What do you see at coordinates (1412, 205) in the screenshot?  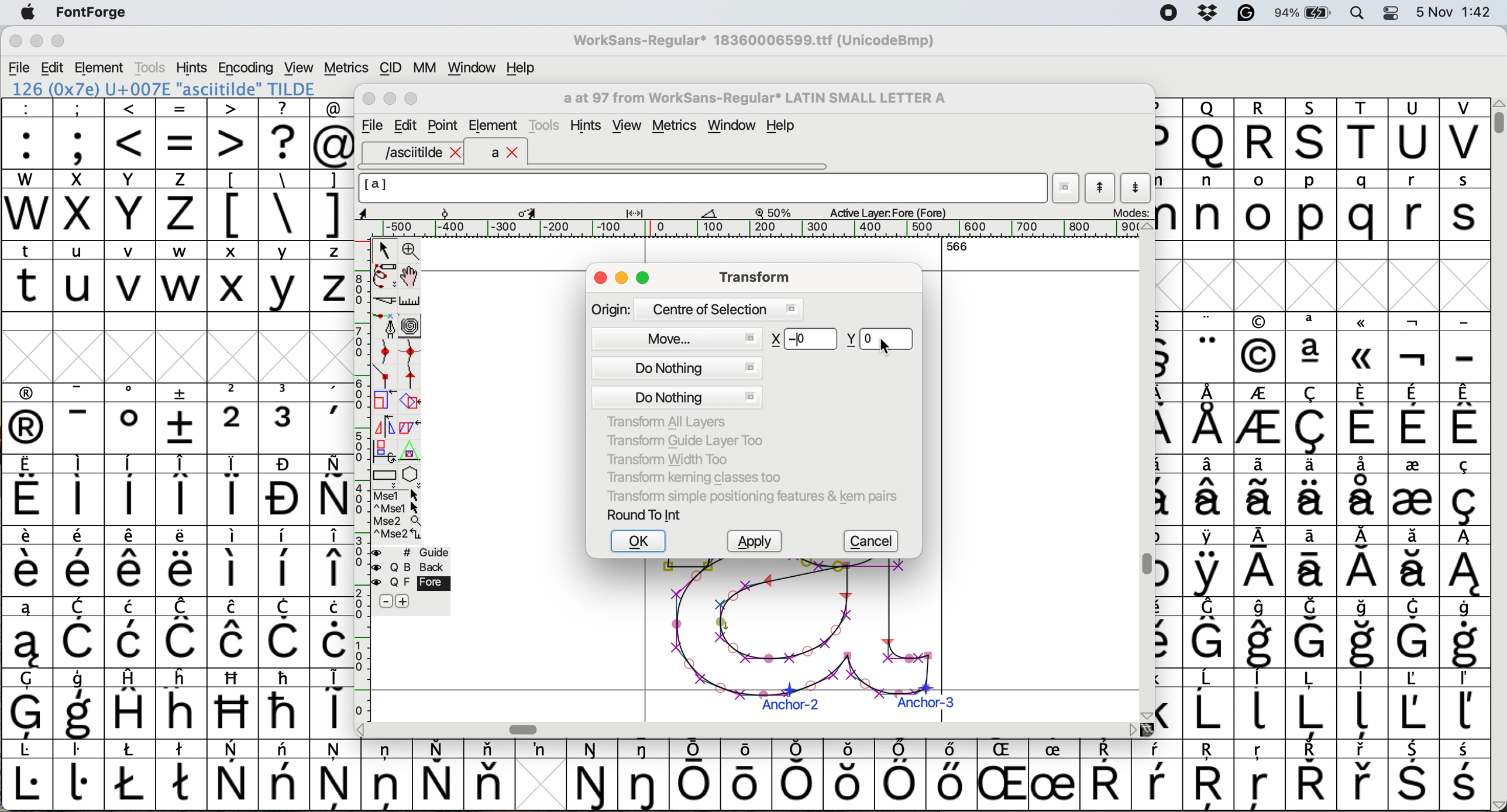 I see `r` at bounding box center [1412, 205].